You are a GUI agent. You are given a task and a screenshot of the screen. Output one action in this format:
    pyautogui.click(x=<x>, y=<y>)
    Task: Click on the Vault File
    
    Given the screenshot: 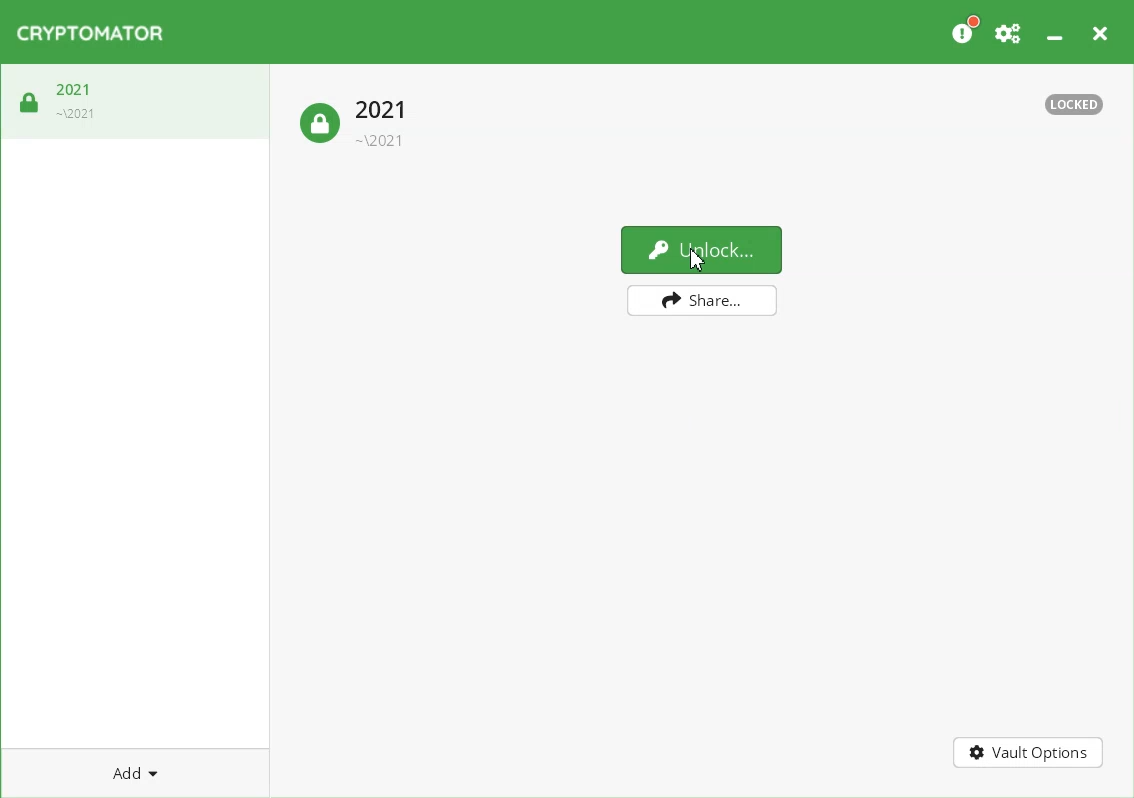 What is the action you would take?
    pyautogui.click(x=136, y=106)
    